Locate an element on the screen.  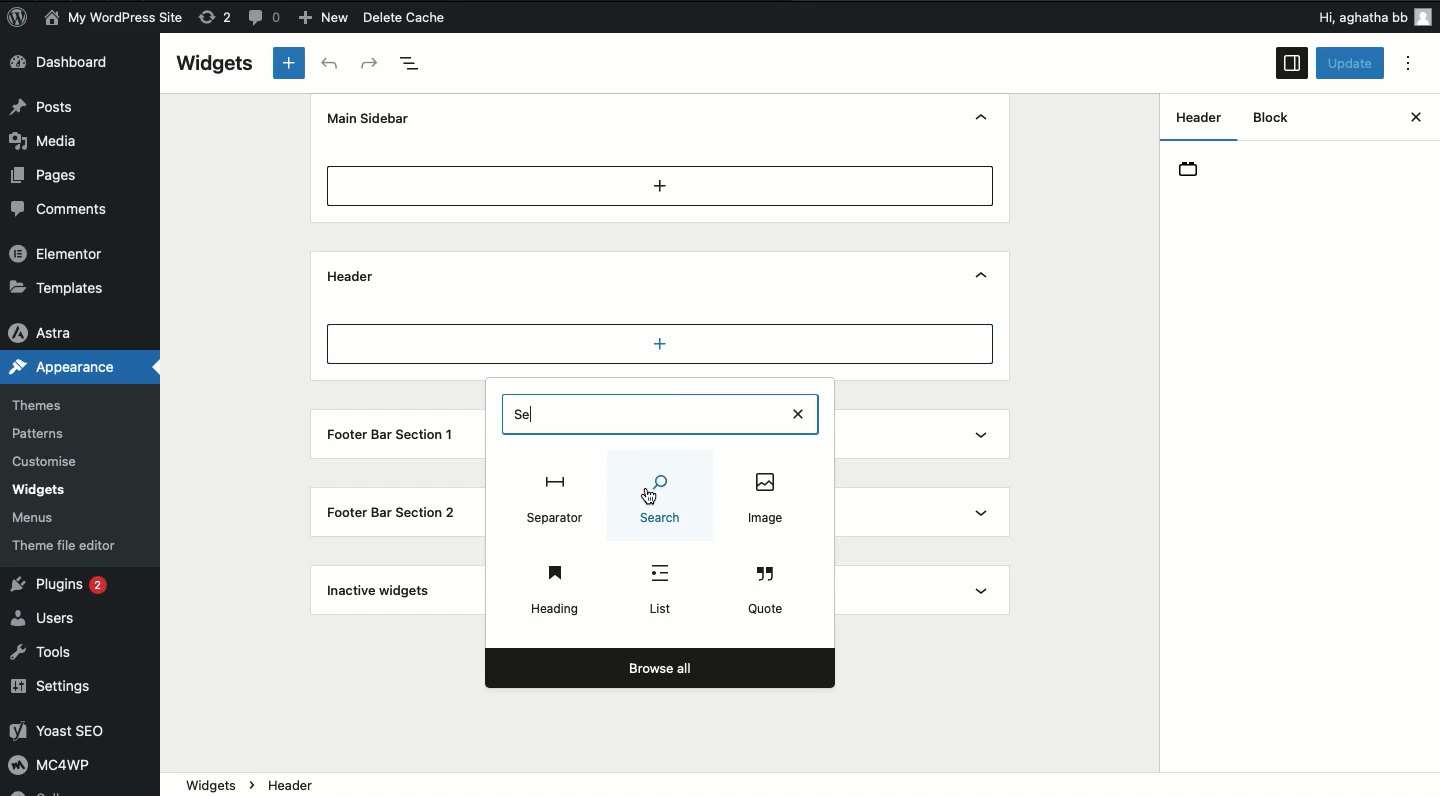
New is located at coordinates (326, 18).